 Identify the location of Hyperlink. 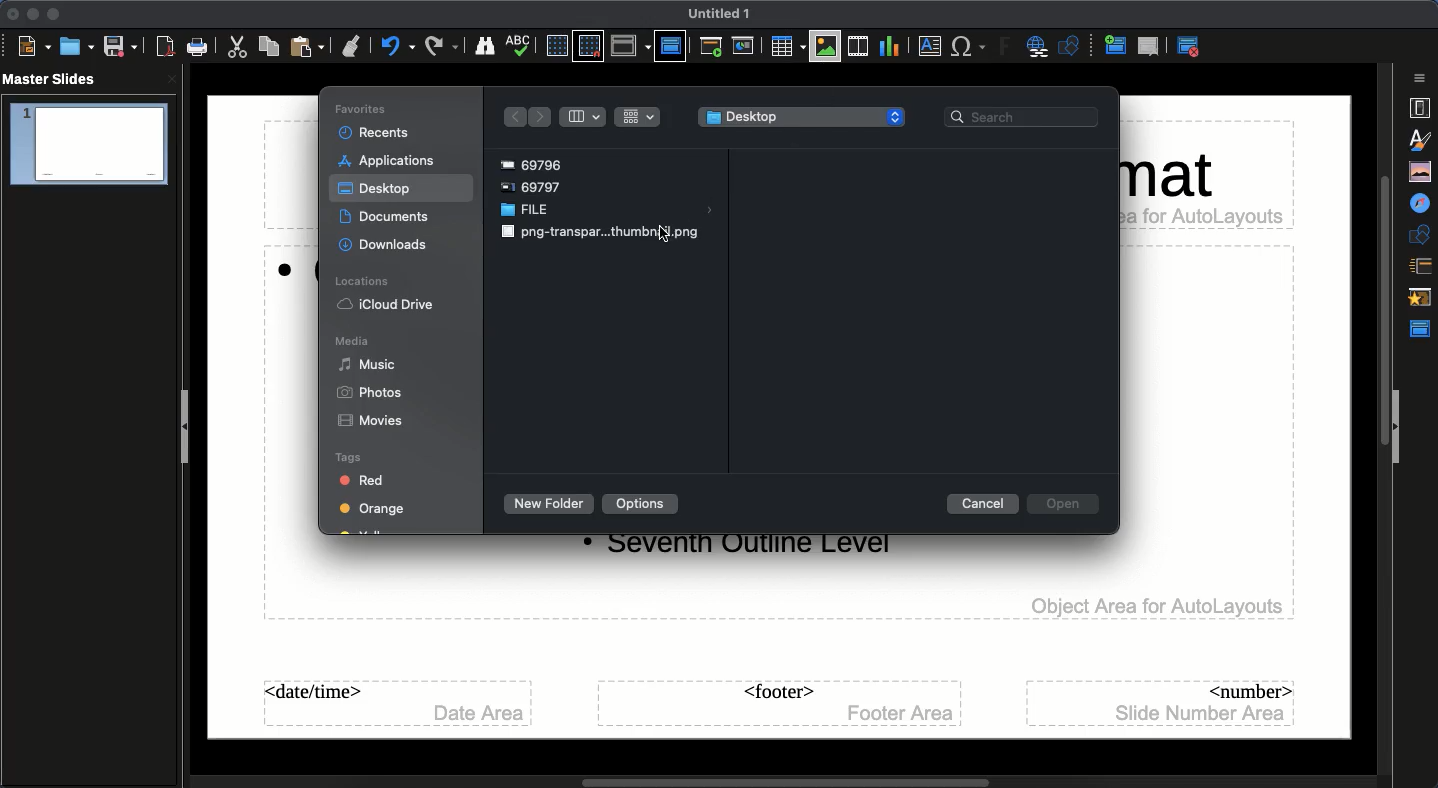
(1040, 48).